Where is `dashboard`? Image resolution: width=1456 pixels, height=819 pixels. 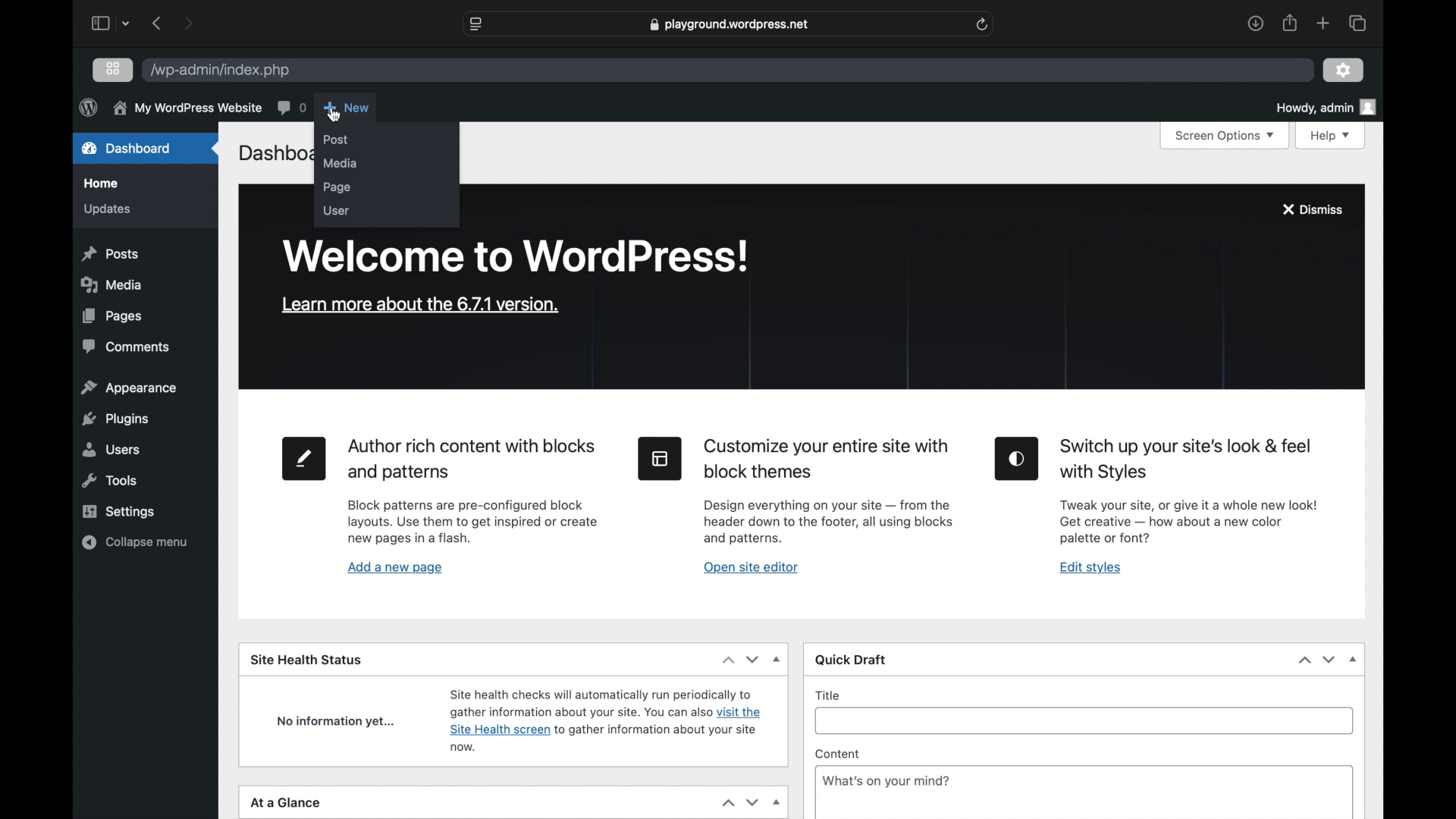 dashboard is located at coordinates (127, 147).